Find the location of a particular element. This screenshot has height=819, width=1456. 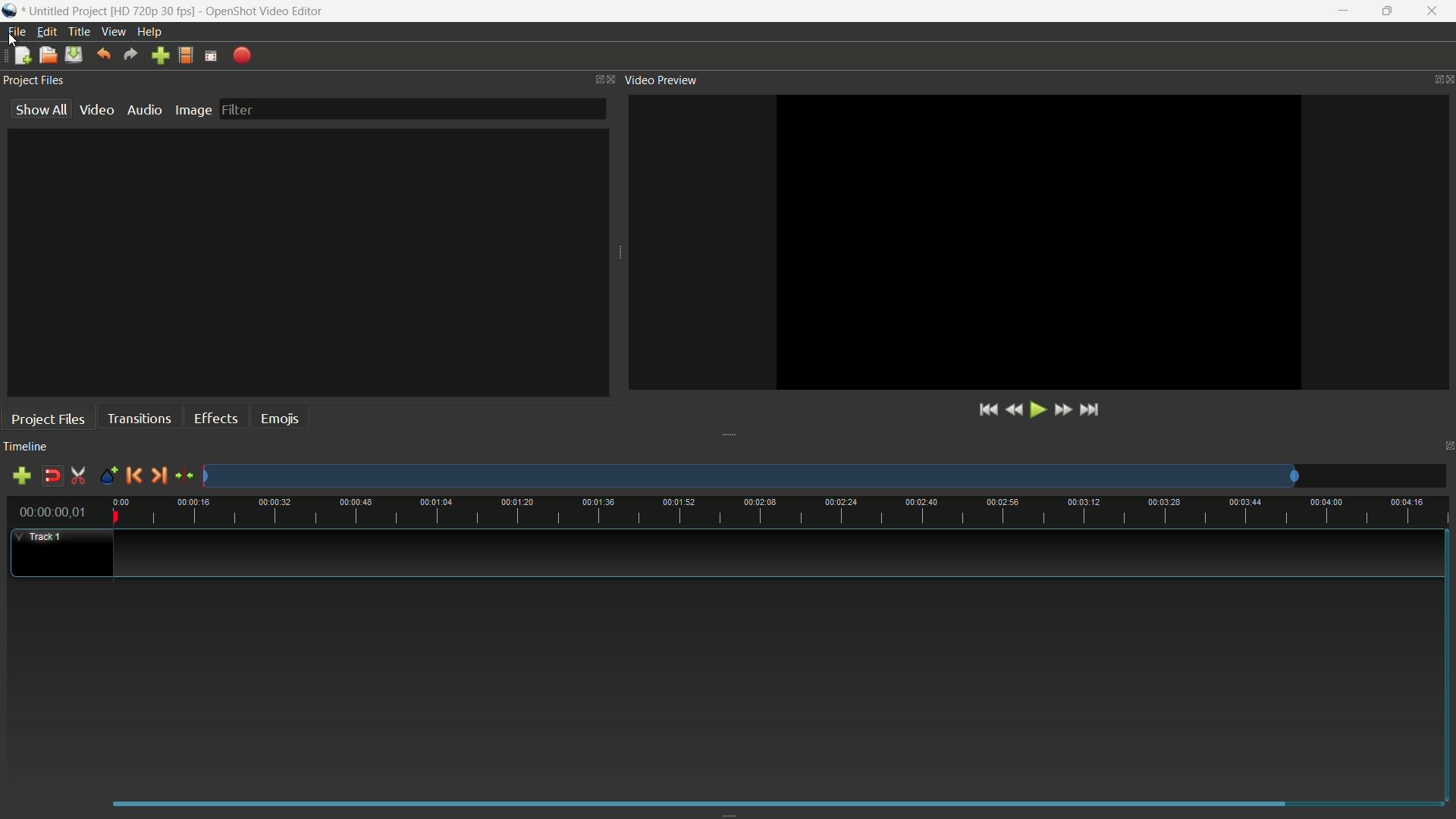

transitions is located at coordinates (141, 417).